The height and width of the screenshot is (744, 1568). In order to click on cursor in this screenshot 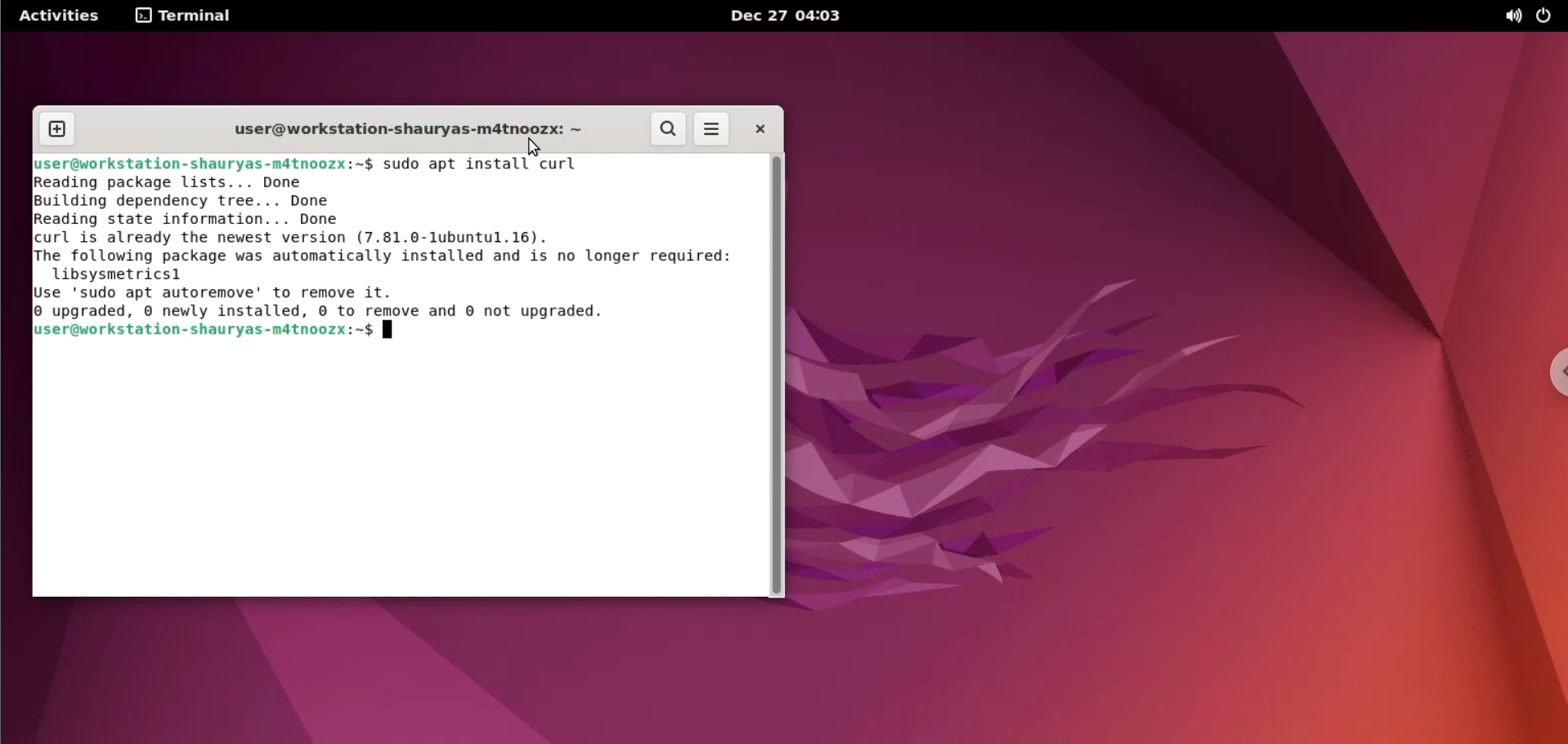, I will do `click(529, 147)`.